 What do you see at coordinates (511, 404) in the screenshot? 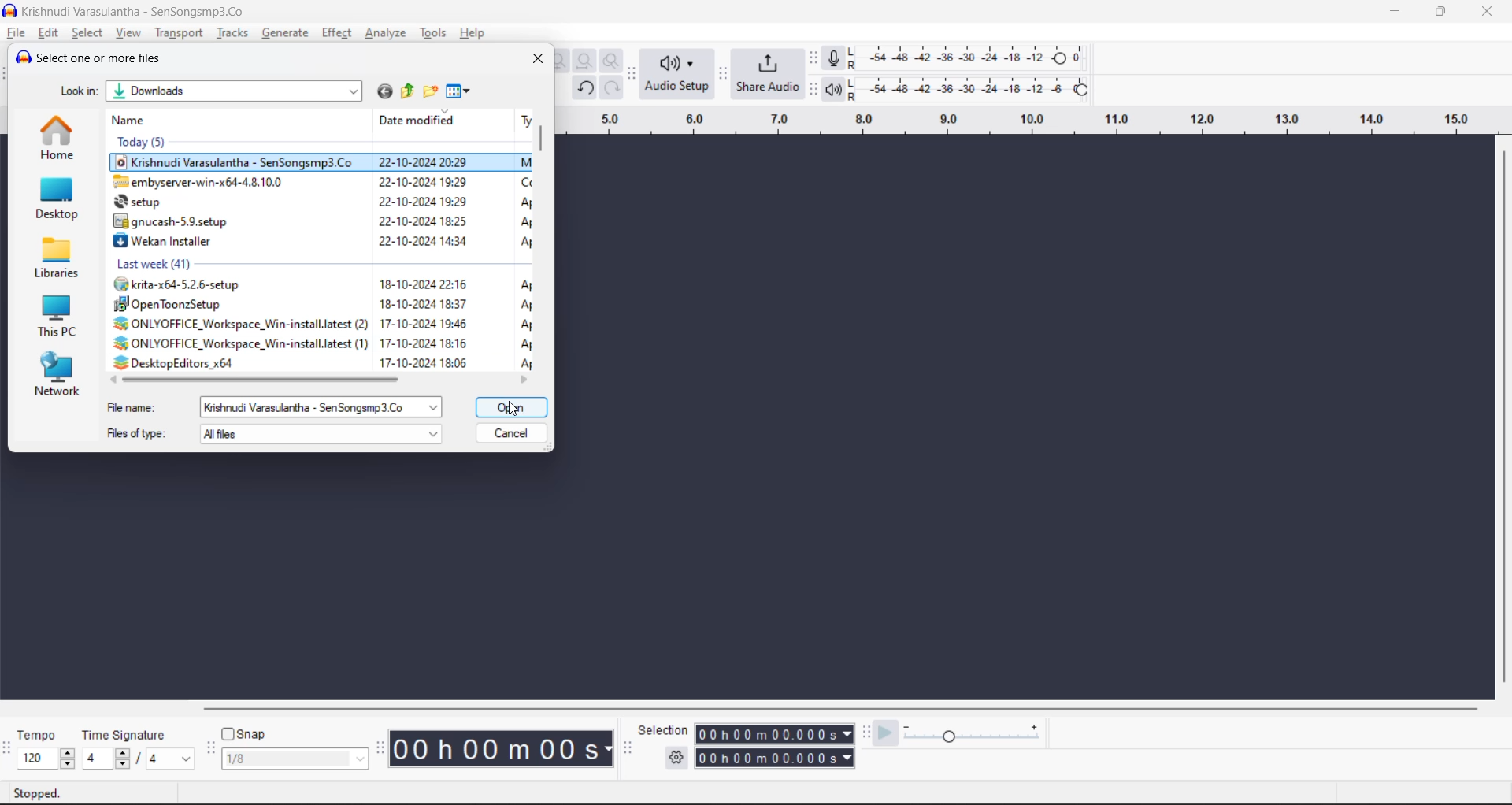
I see `open` at bounding box center [511, 404].